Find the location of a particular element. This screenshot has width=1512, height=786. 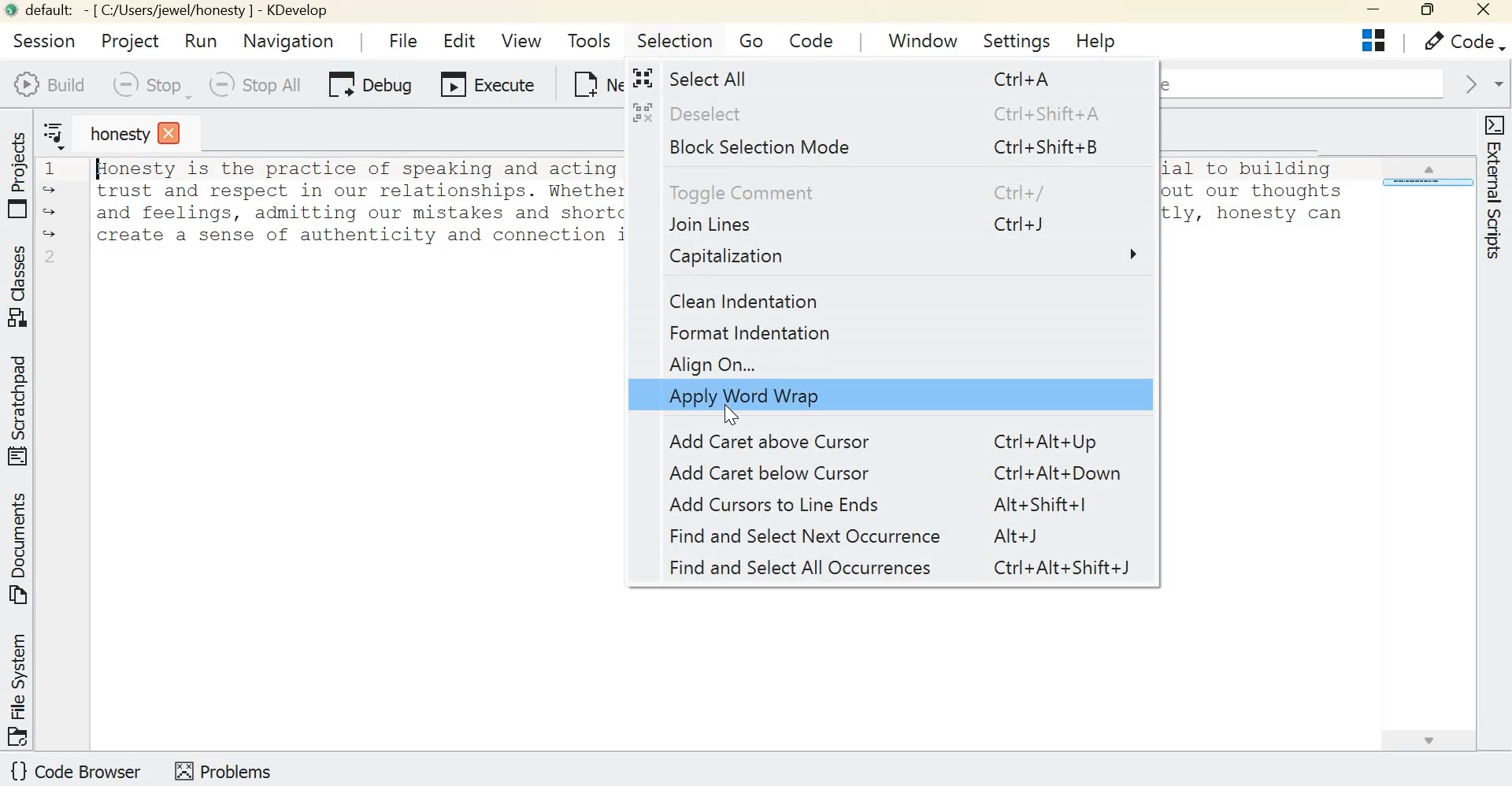

Toggle 'code browser' tool view is located at coordinates (77, 773).